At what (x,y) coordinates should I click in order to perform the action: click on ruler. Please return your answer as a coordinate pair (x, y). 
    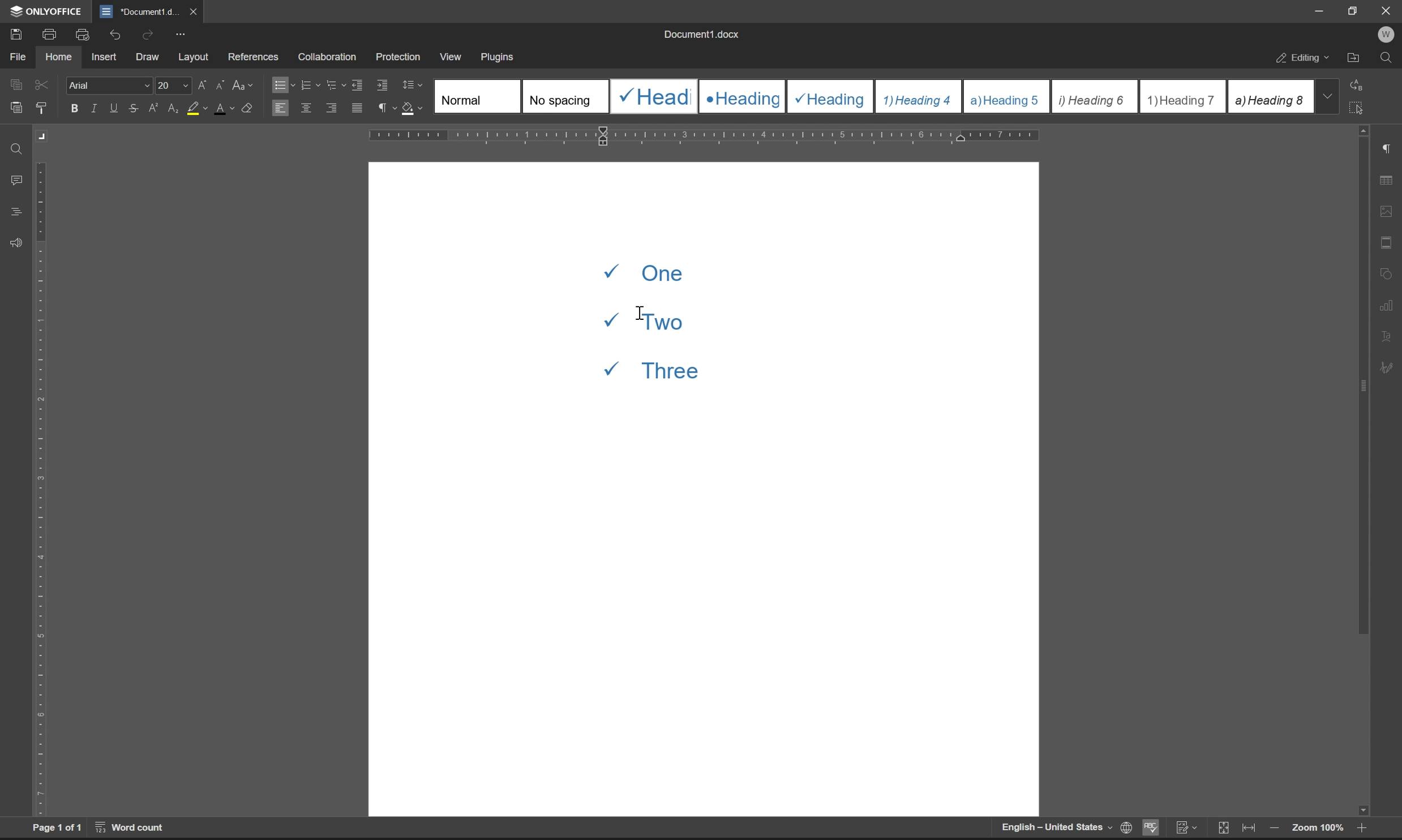
    Looking at the image, I should click on (41, 488).